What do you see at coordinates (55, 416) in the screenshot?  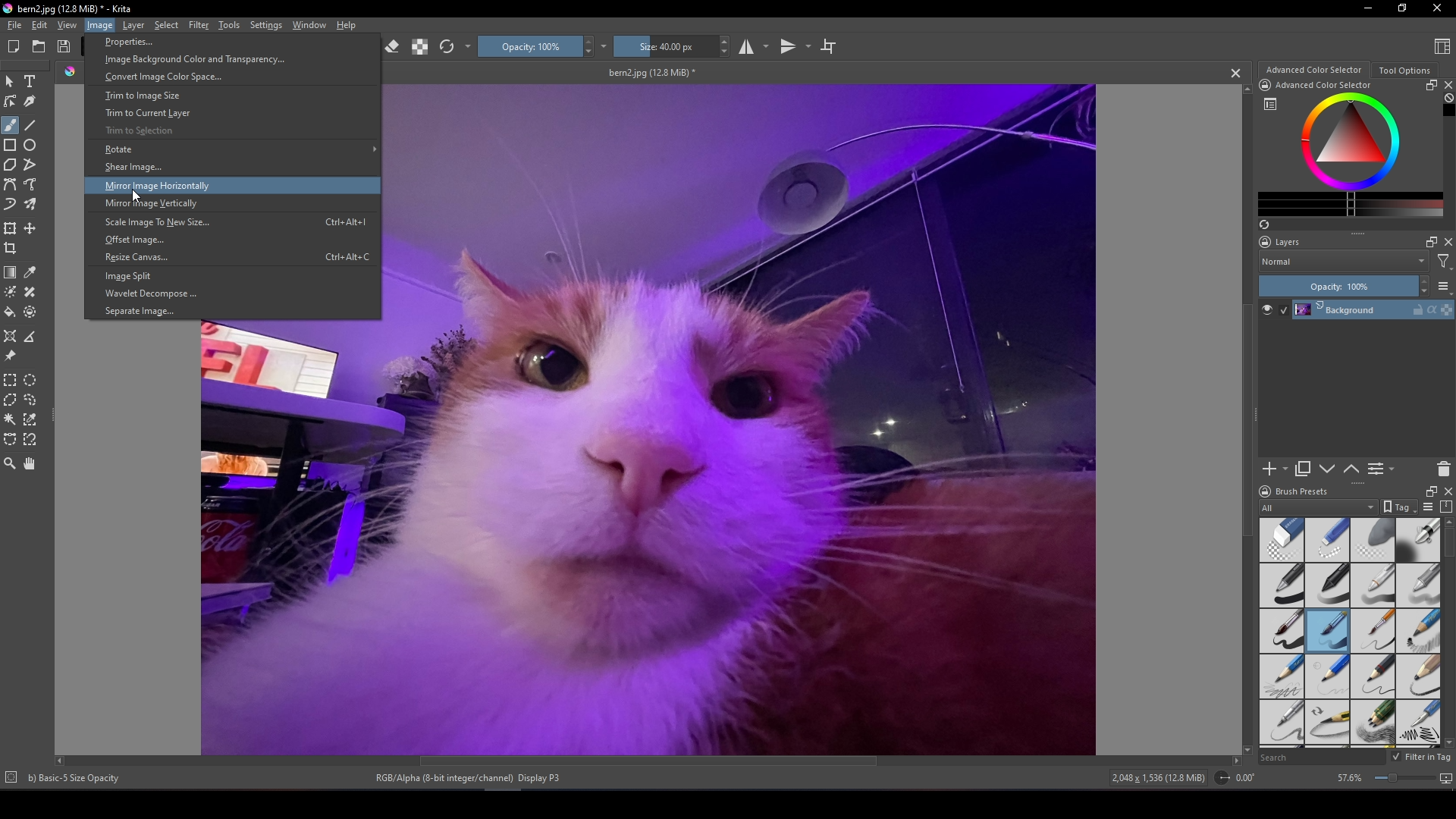 I see `Left panel slider` at bounding box center [55, 416].